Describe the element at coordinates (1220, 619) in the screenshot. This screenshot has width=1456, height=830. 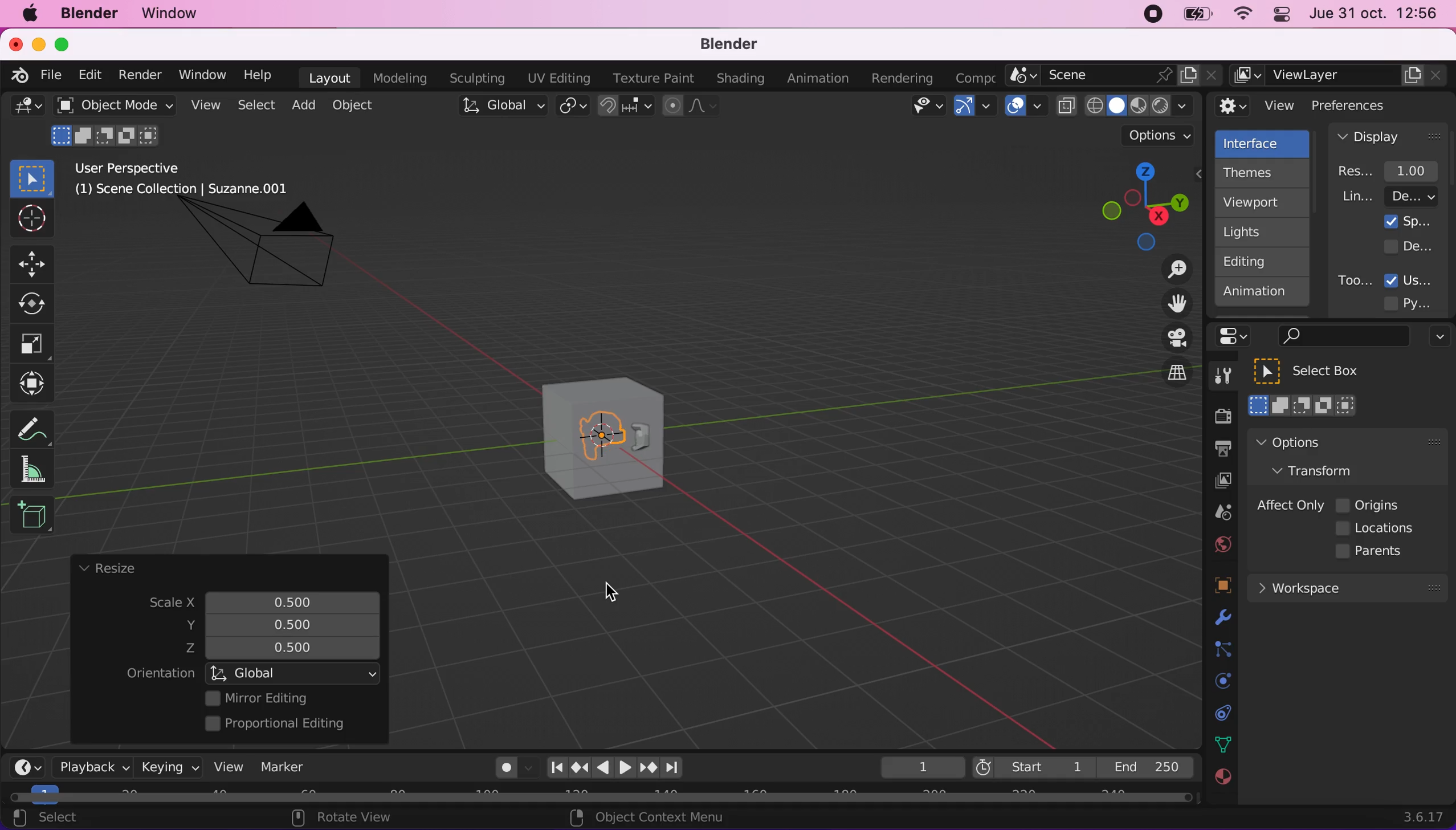
I see `physics` at that location.